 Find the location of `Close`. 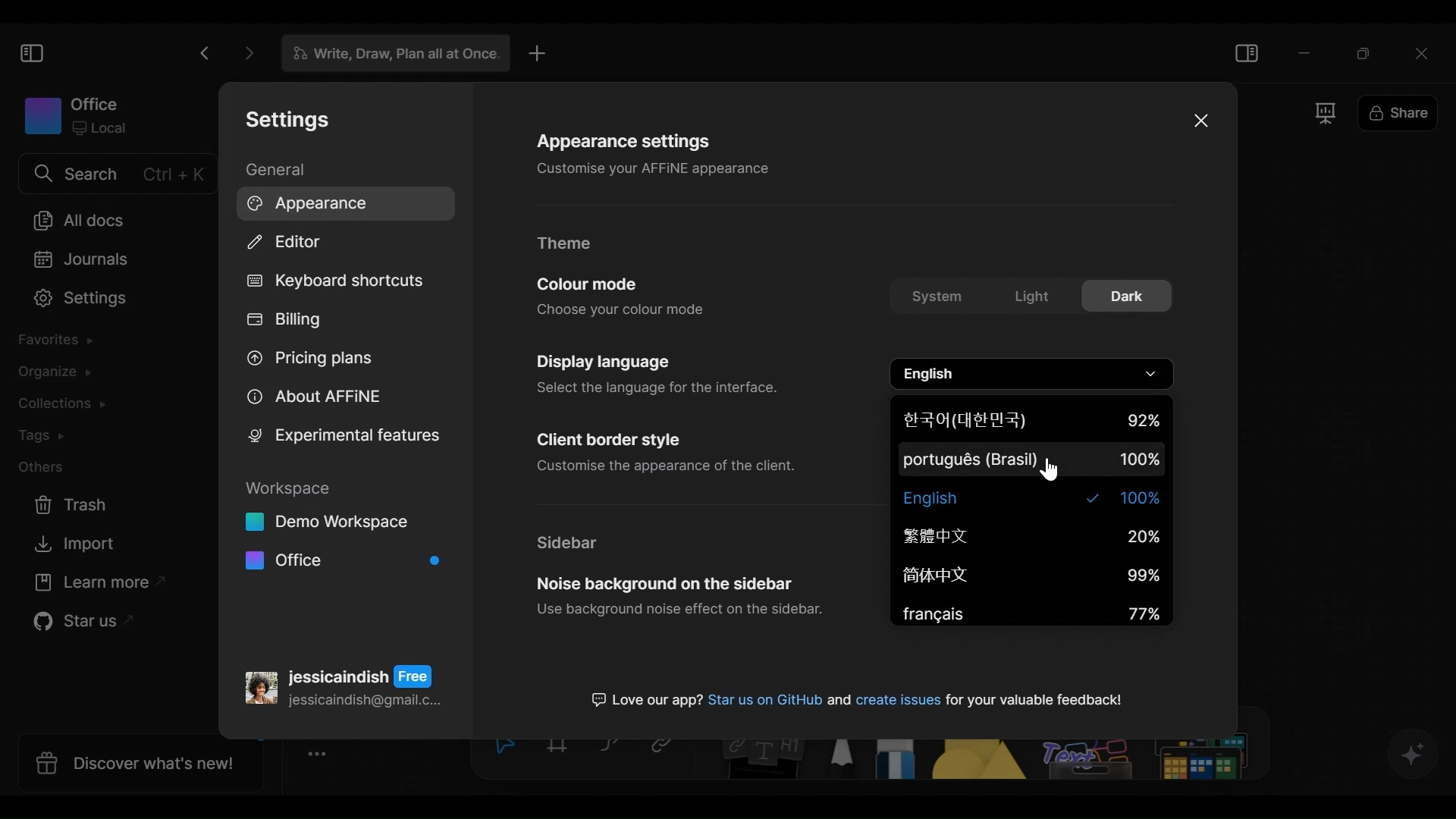

Close is located at coordinates (1199, 120).